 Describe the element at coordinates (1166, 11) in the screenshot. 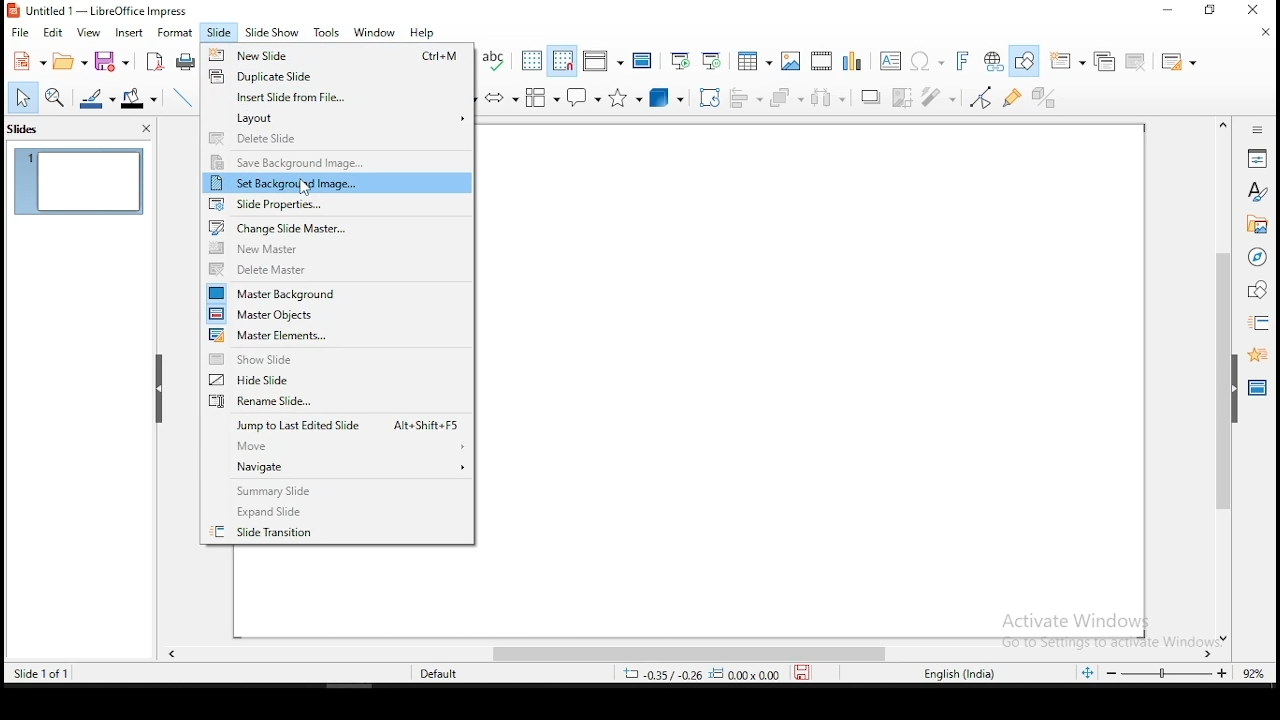

I see `minimize` at that location.